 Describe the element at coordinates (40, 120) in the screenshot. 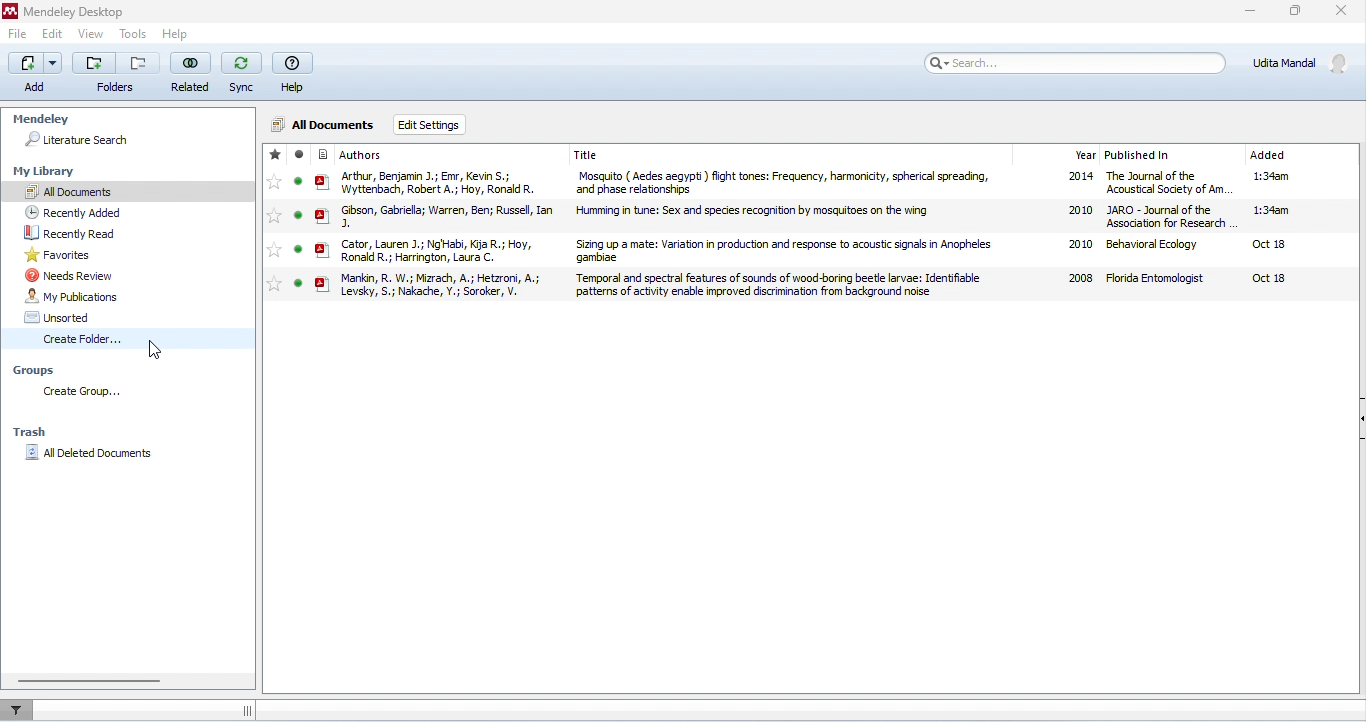

I see `Mendeley` at that location.